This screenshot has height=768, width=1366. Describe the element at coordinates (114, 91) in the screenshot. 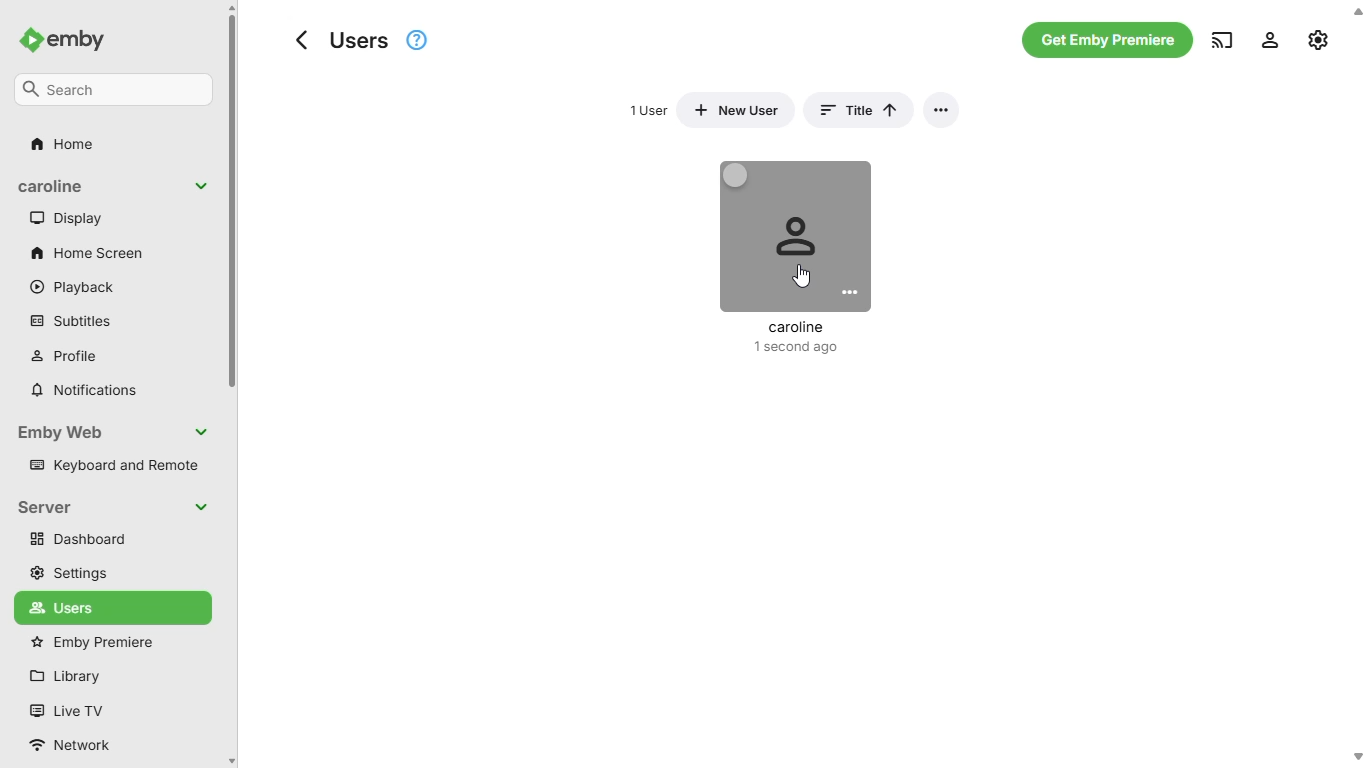

I see `search bar` at that location.